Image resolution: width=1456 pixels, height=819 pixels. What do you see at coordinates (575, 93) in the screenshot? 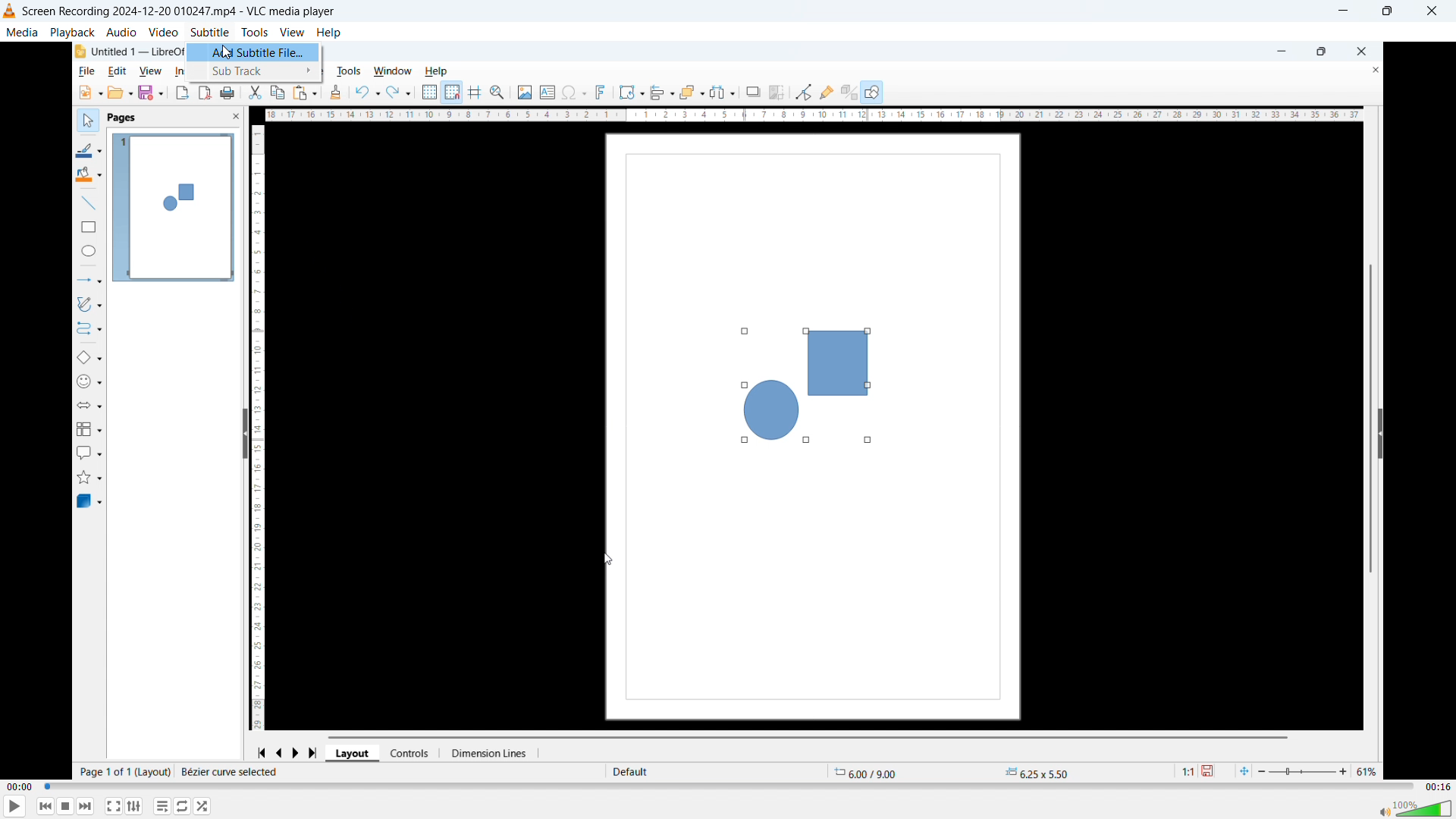
I see `special character` at bounding box center [575, 93].